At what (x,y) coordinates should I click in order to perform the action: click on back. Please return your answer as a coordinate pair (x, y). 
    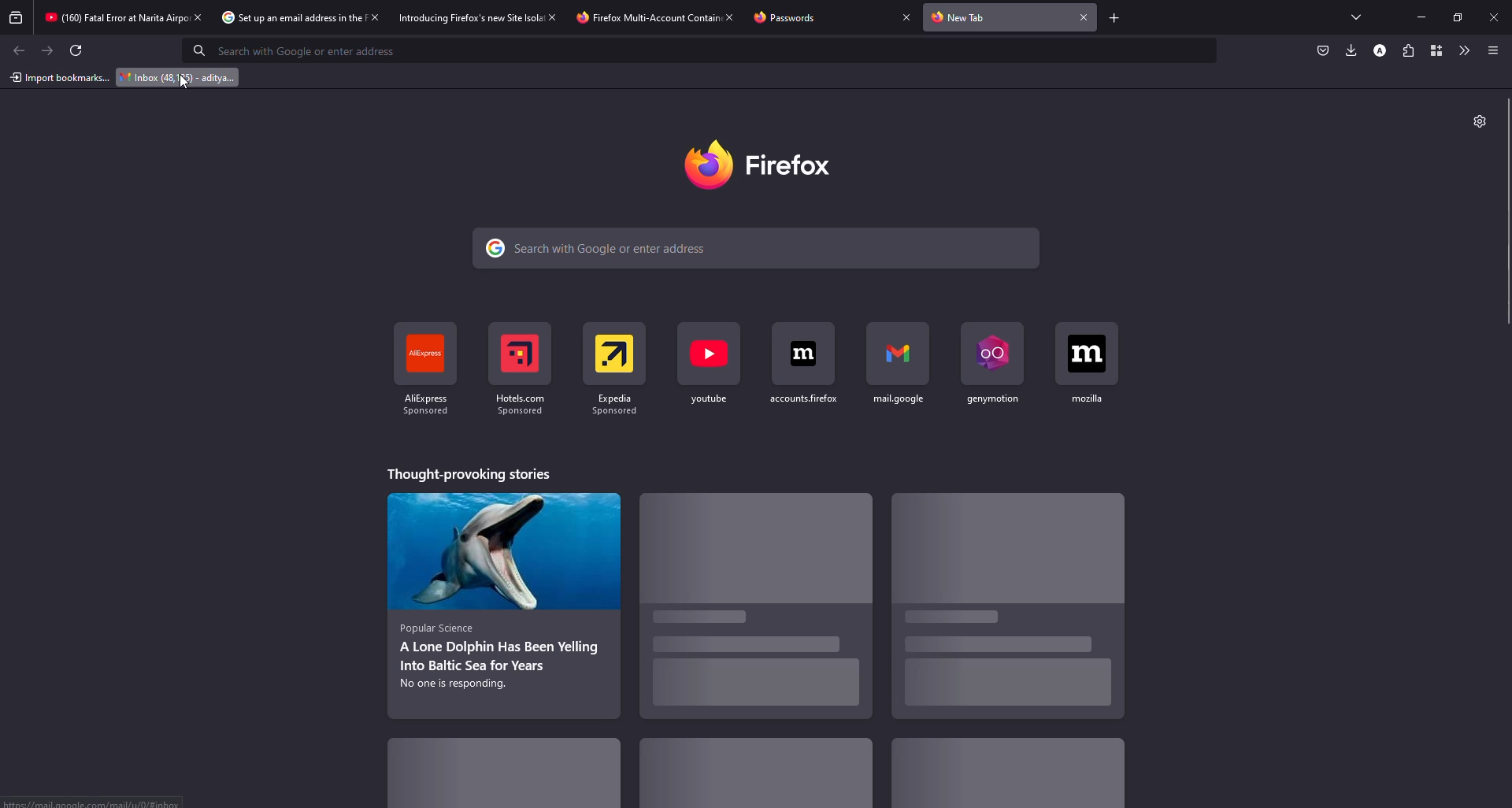
    Looking at the image, I should click on (20, 50).